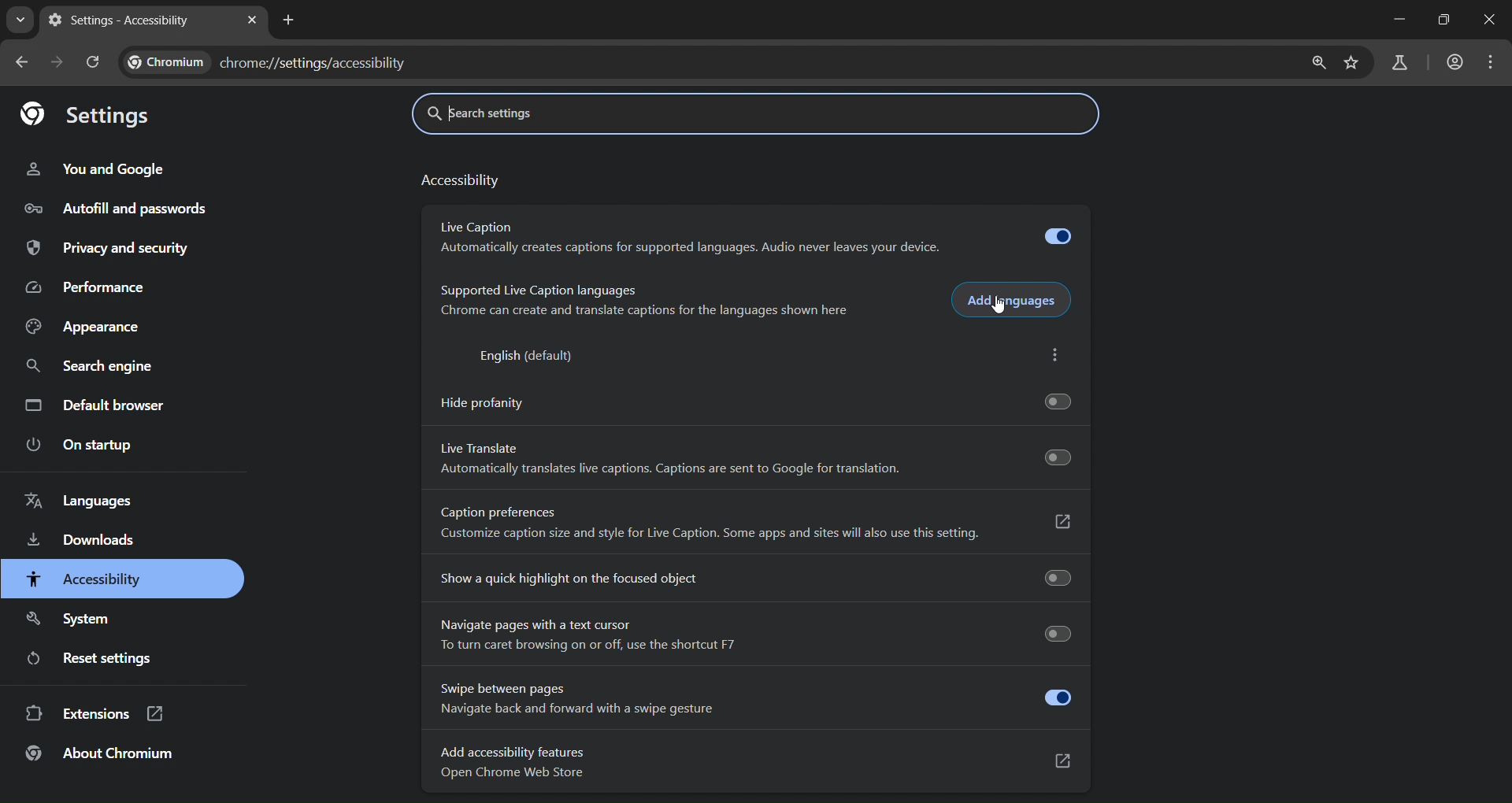 Image resolution: width=1512 pixels, height=803 pixels. What do you see at coordinates (91, 368) in the screenshot?
I see `search engine` at bounding box center [91, 368].